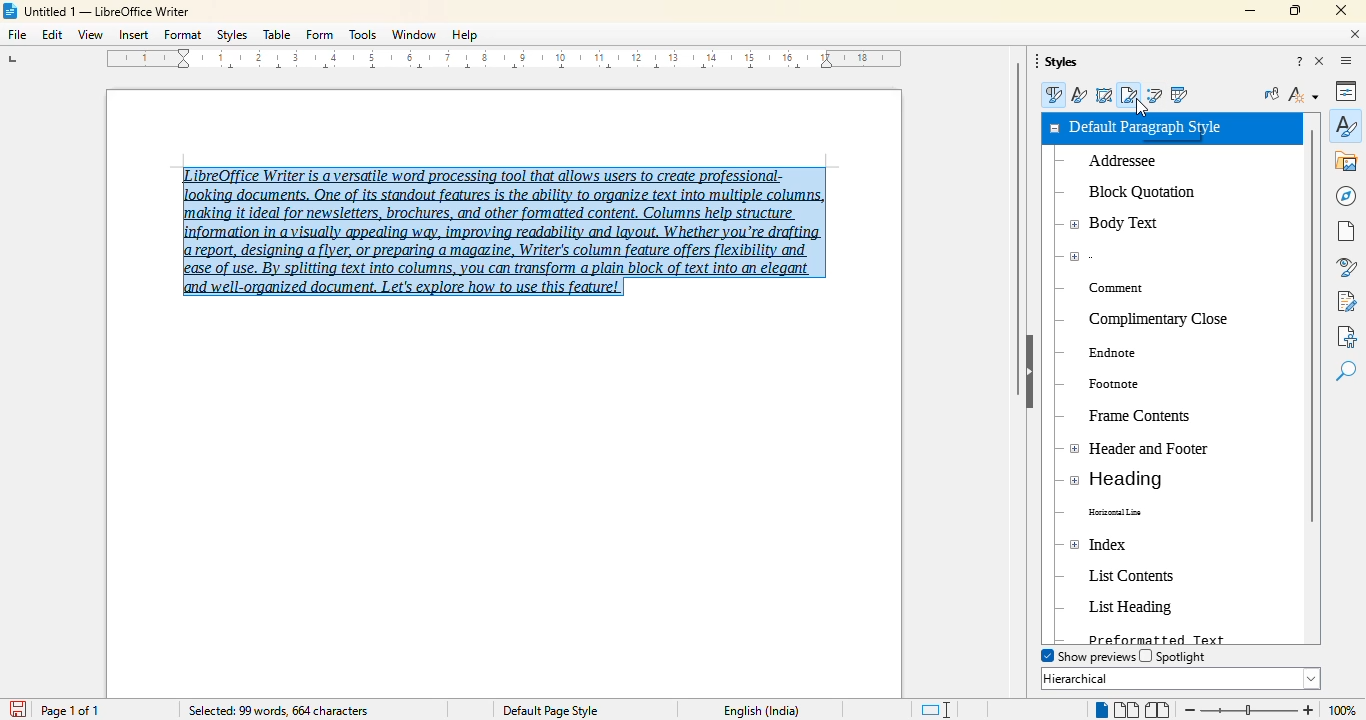  Describe the element at coordinates (277, 35) in the screenshot. I see `table` at that location.